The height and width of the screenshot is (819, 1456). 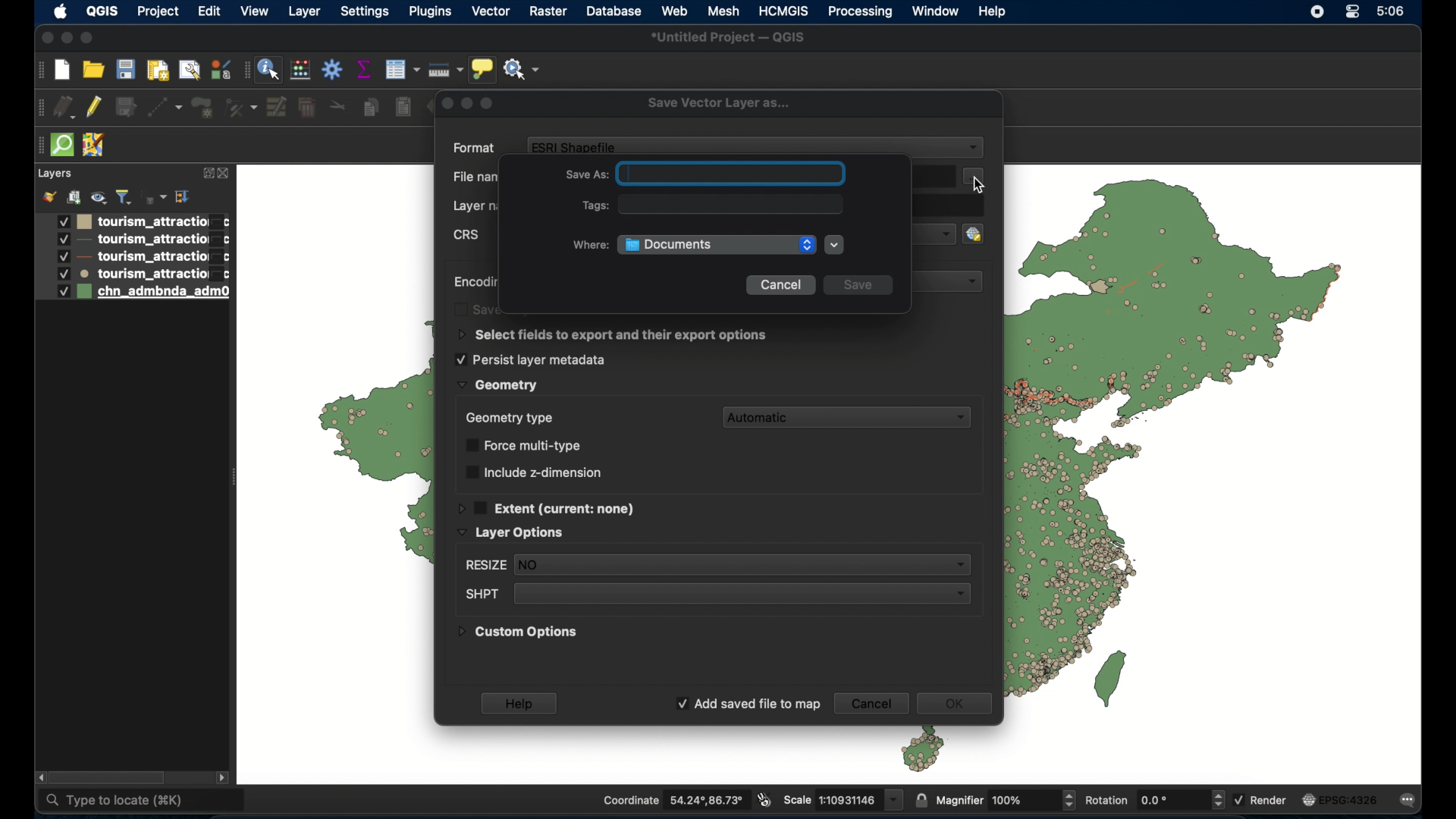 What do you see at coordinates (956, 281) in the screenshot?
I see `dropdown` at bounding box center [956, 281].